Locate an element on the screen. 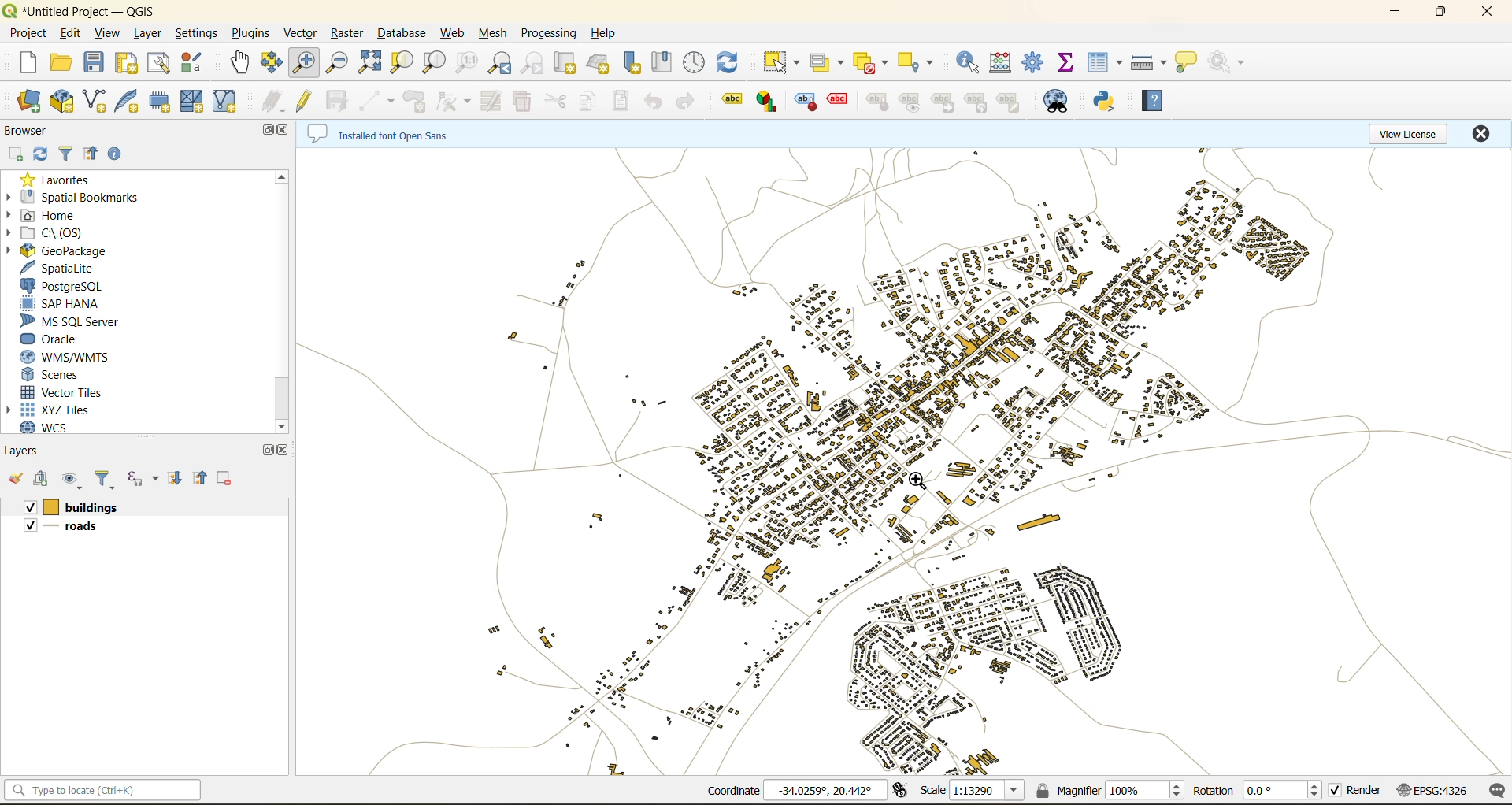 The height and width of the screenshot is (805, 1512). collapse all is located at coordinates (90, 154).